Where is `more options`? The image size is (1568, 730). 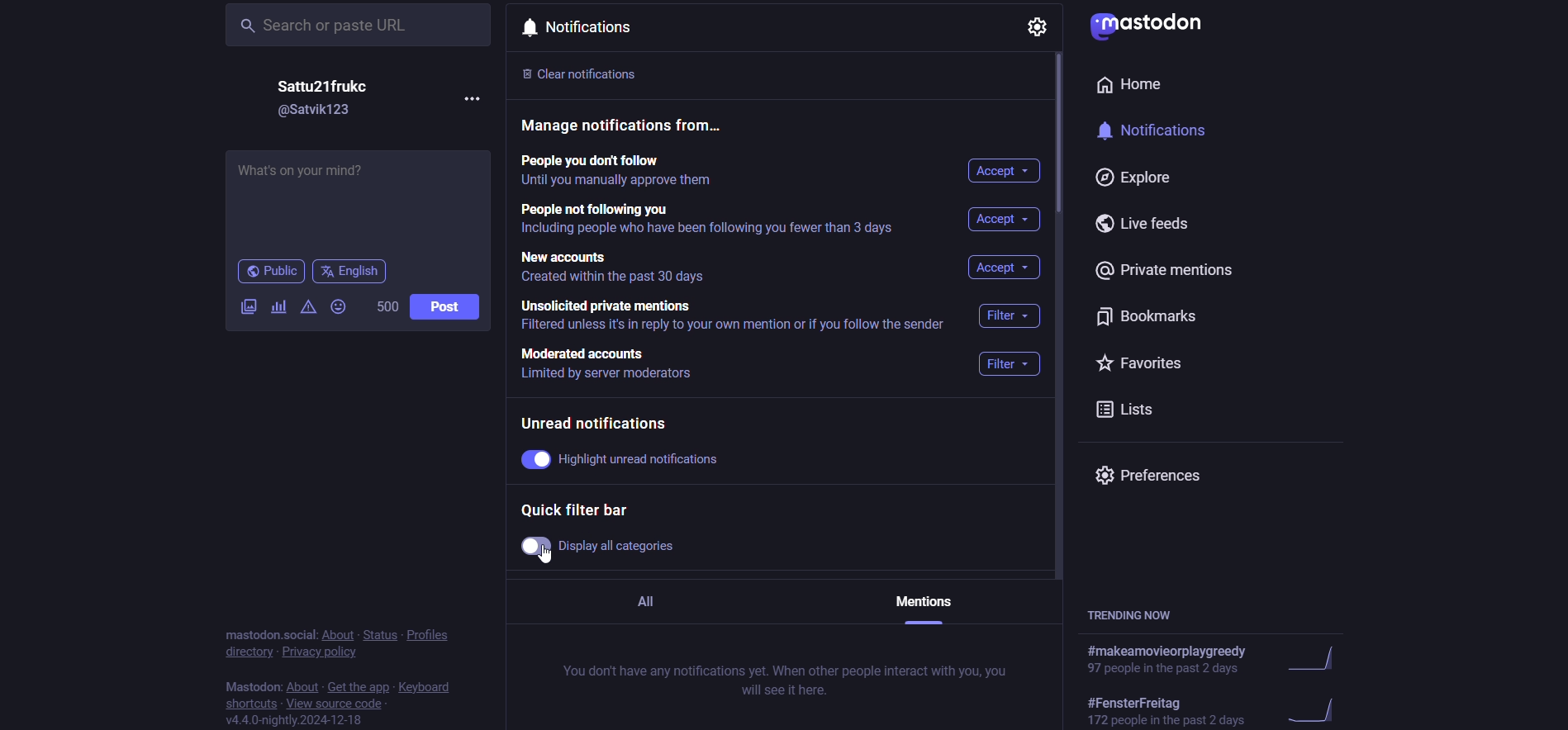 more options is located at coordinates (473, 98).